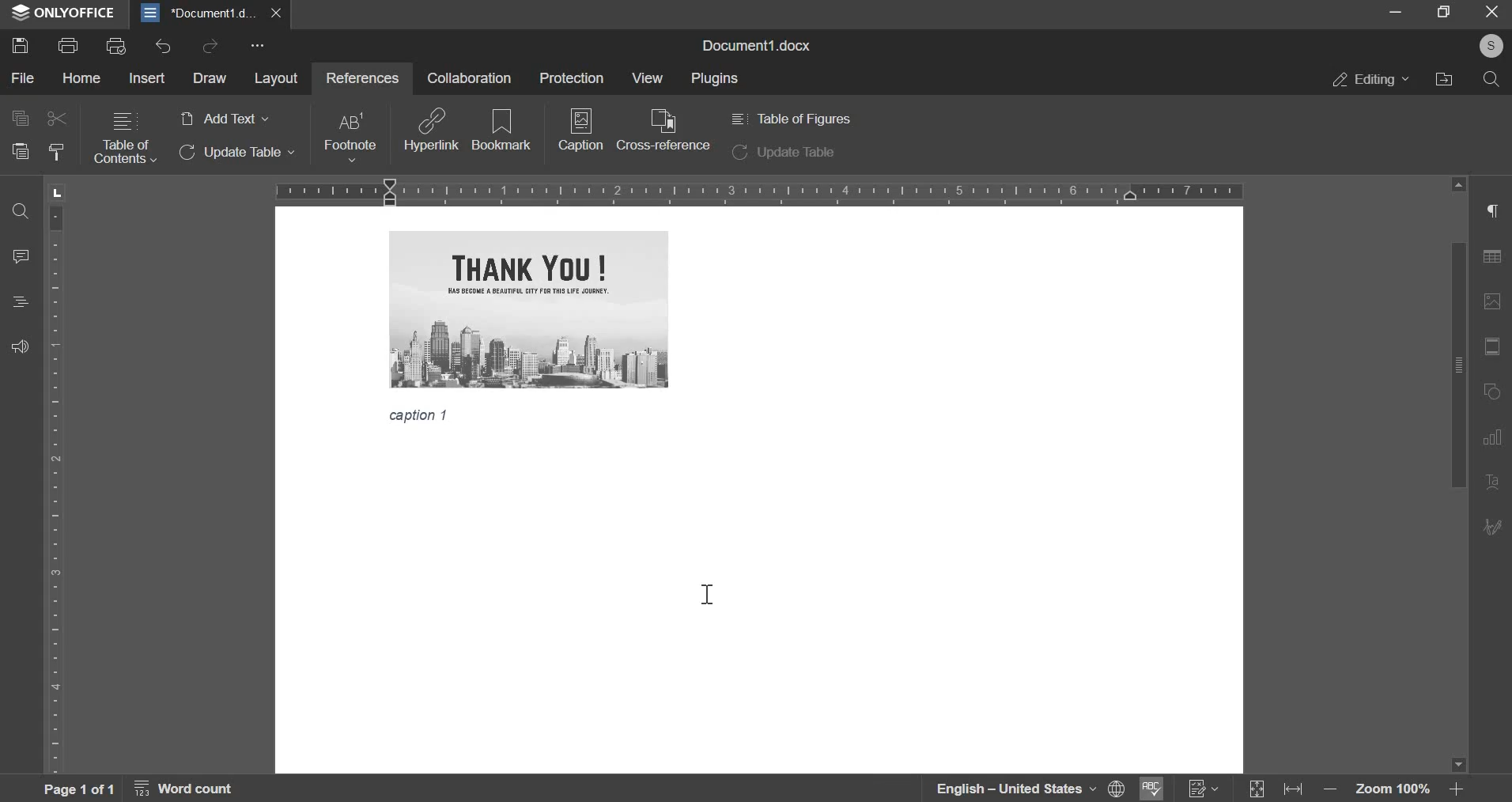 Image resolution: width=1512 pixels, height=802 pixels. What do you see at coordinates (193, 791) in the screenshot?
I see `word count` at bounding box center [193, 791].